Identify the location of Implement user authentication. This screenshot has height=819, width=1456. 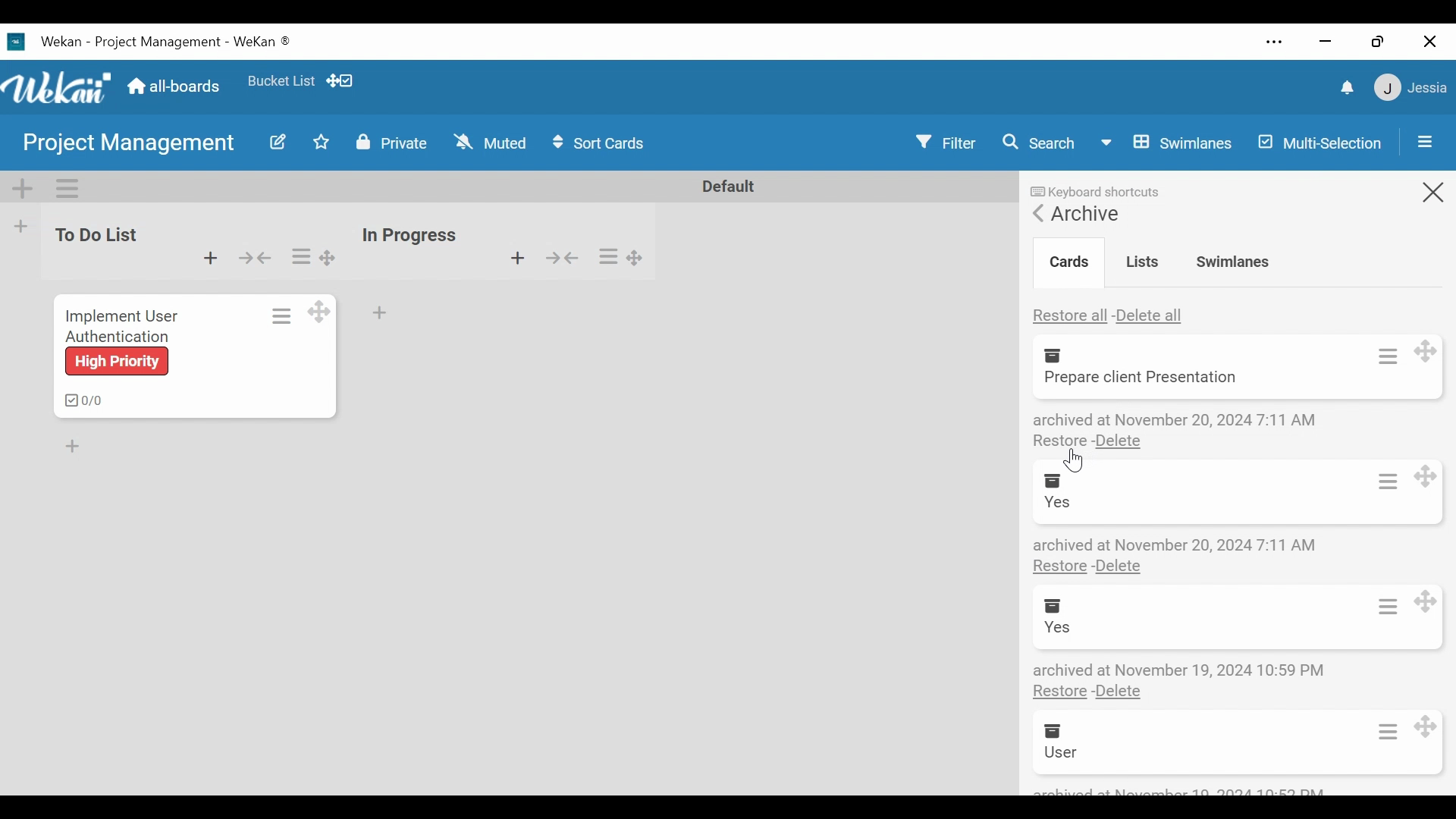
(121, 325).